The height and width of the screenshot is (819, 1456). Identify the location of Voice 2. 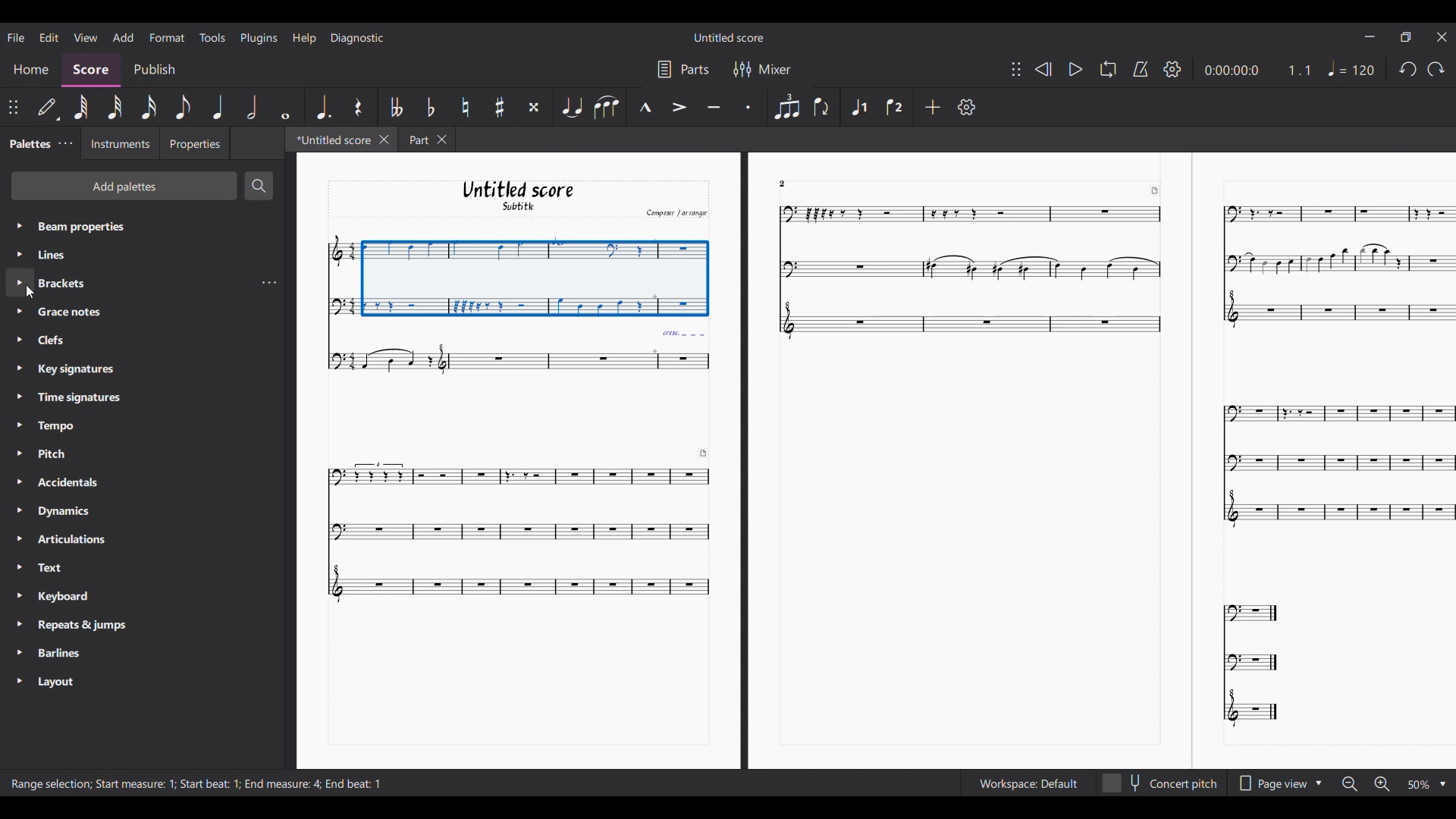
(893, 107).